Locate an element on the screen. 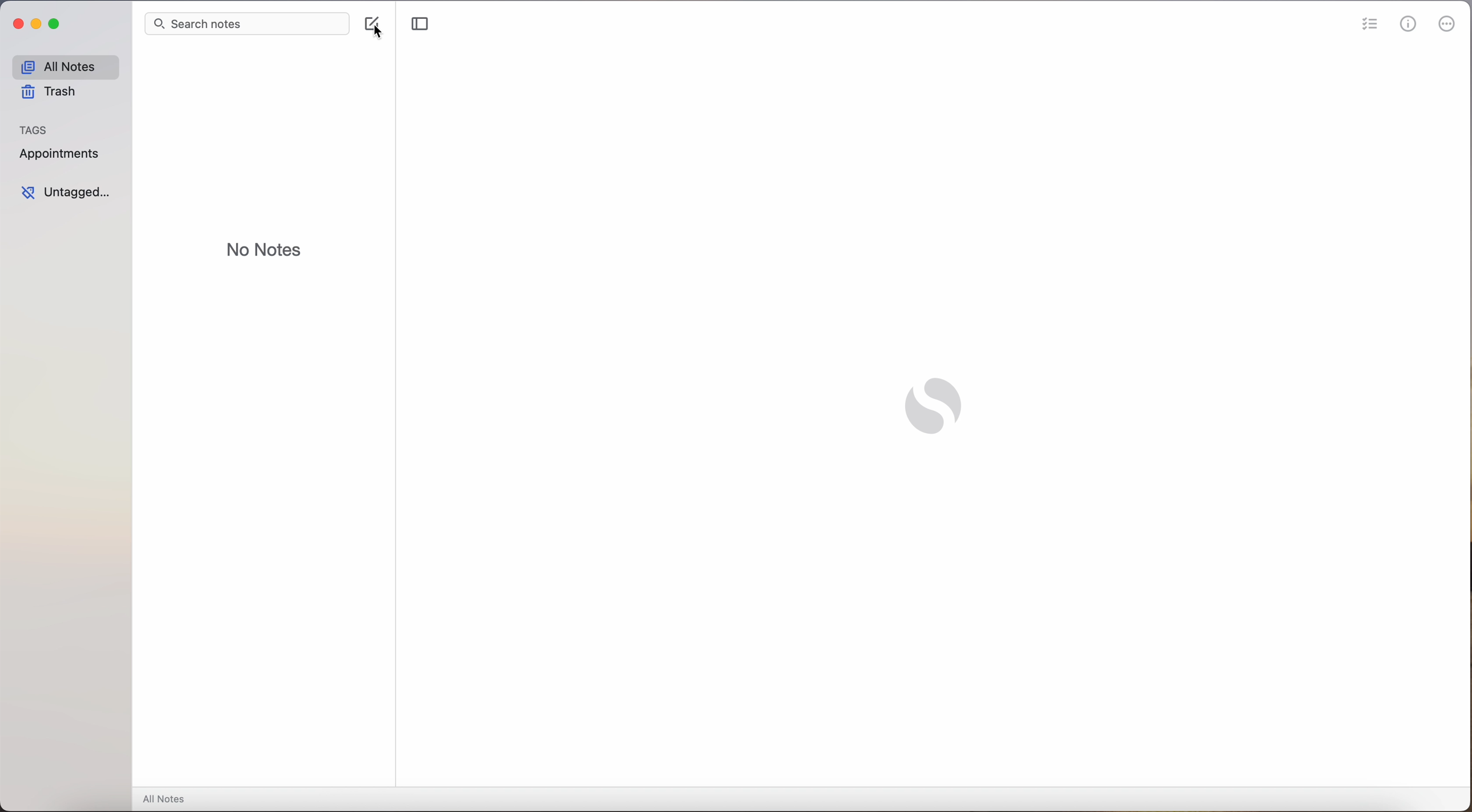 This screenshot has width=1472, height=812. all notes is located at coordinates (67, 66).